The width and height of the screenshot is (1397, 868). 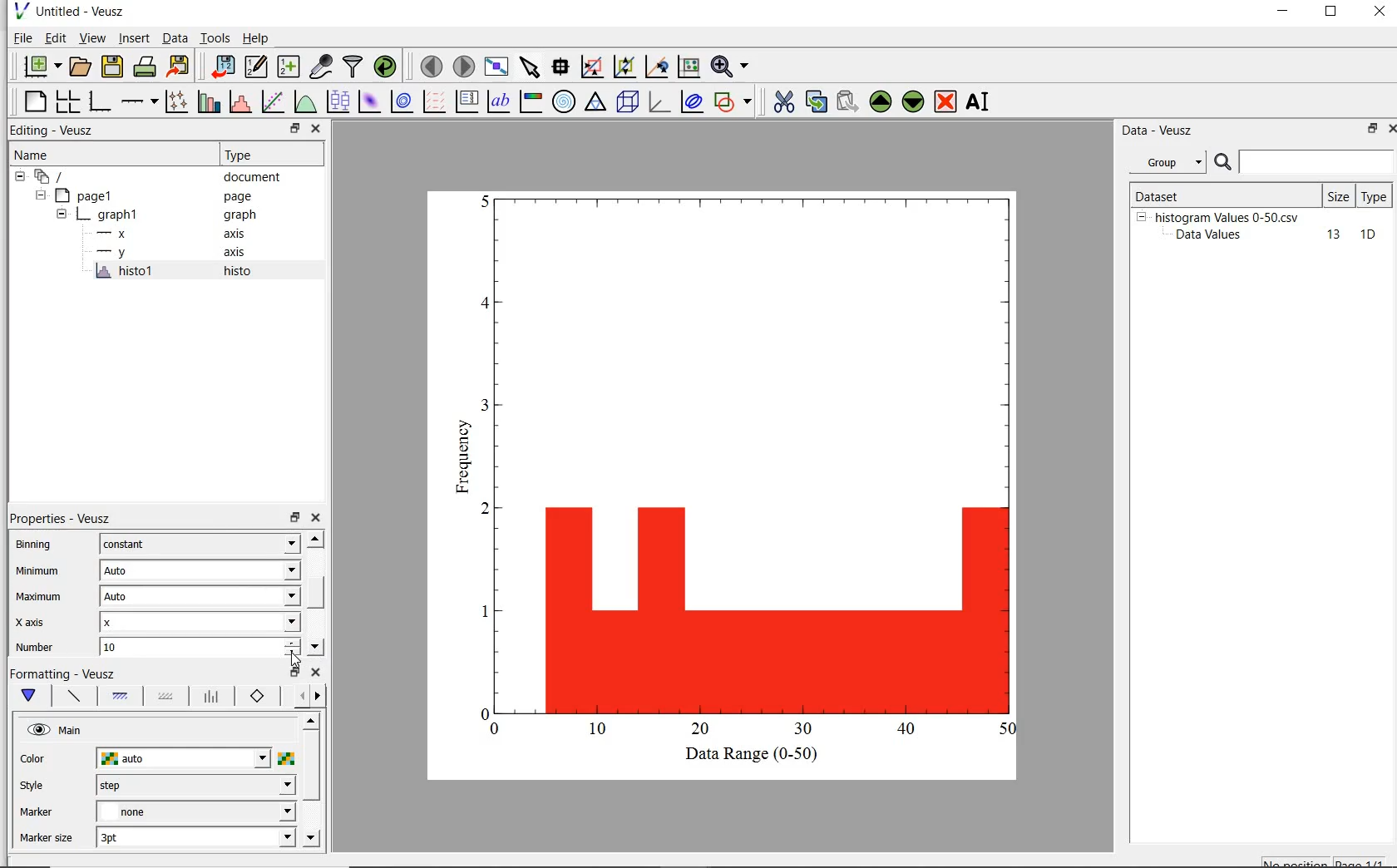 What do you see at coordinates (1317, 162) in the screenshot?
I see `search for dataset names` at bounding box center [1317, 162].